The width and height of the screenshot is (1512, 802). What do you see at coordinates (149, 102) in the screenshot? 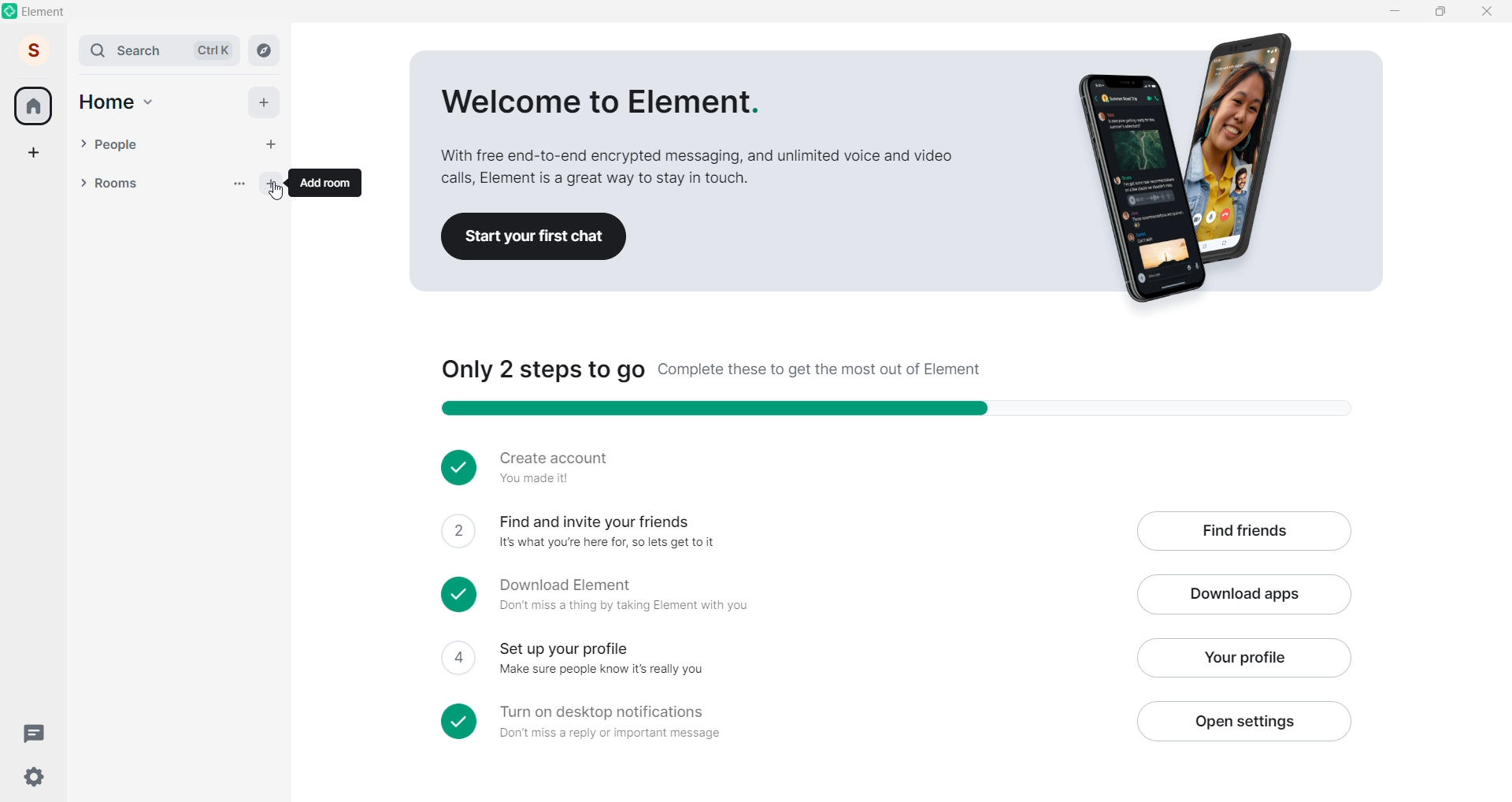
I see `Home Drop Down` at bounding box center [149, 102].